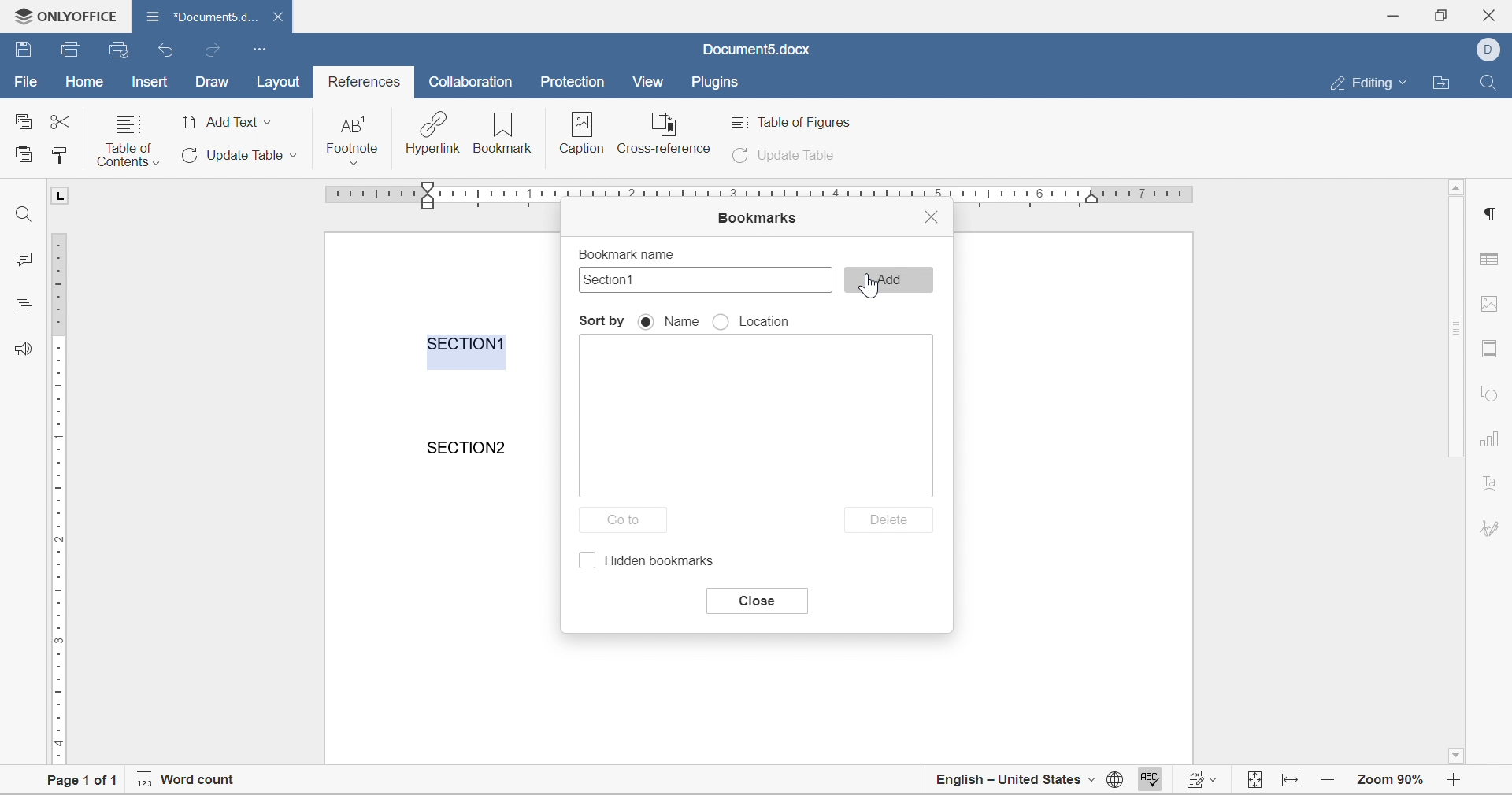 This screenshot has width=1512, height=795. I want to click on protection, so click(573, 81).